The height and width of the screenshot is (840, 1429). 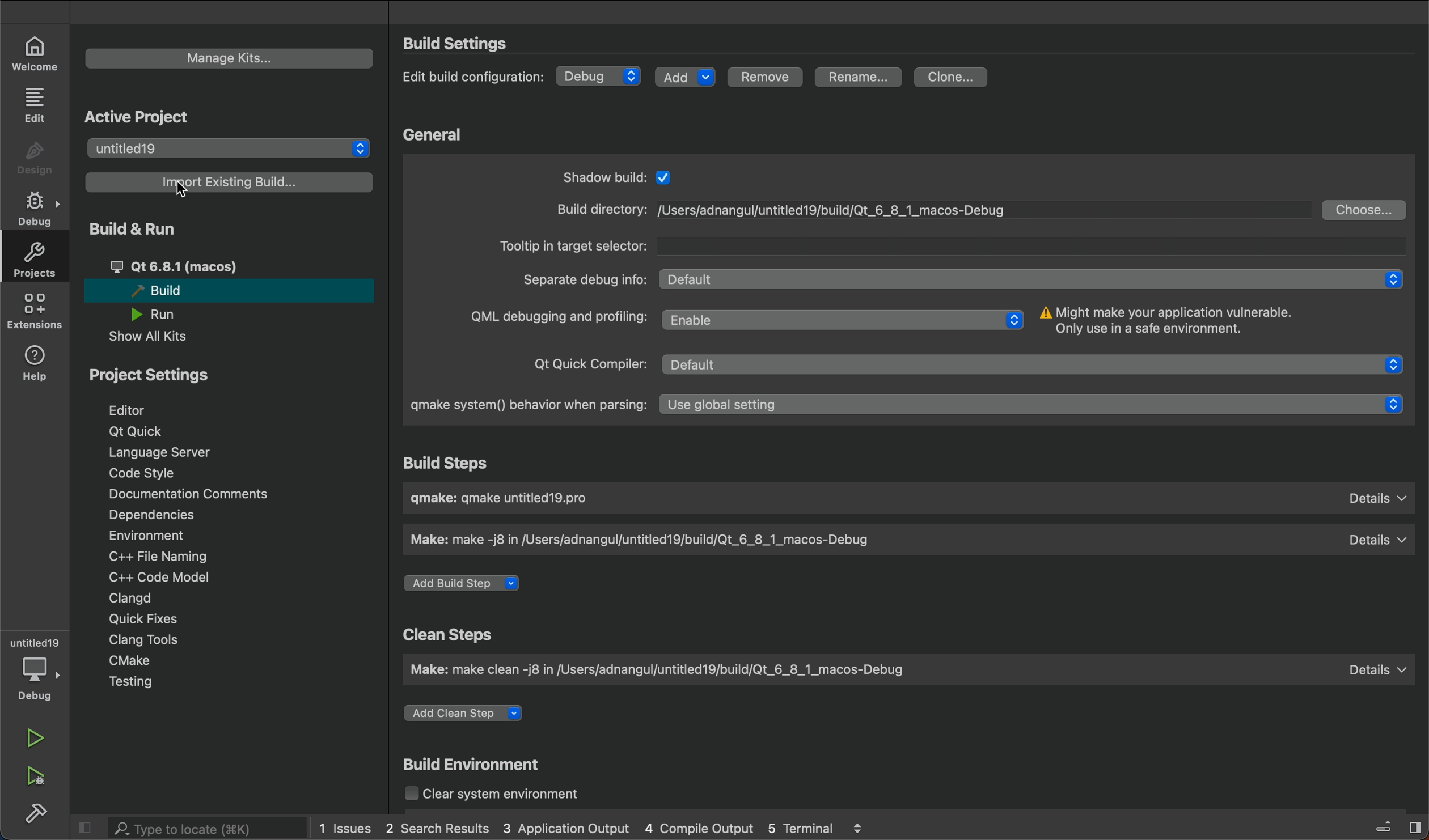 What do you see at coordinates (954, 78) in the screenshot?
I see `clone` at bounding box center [954, 78].